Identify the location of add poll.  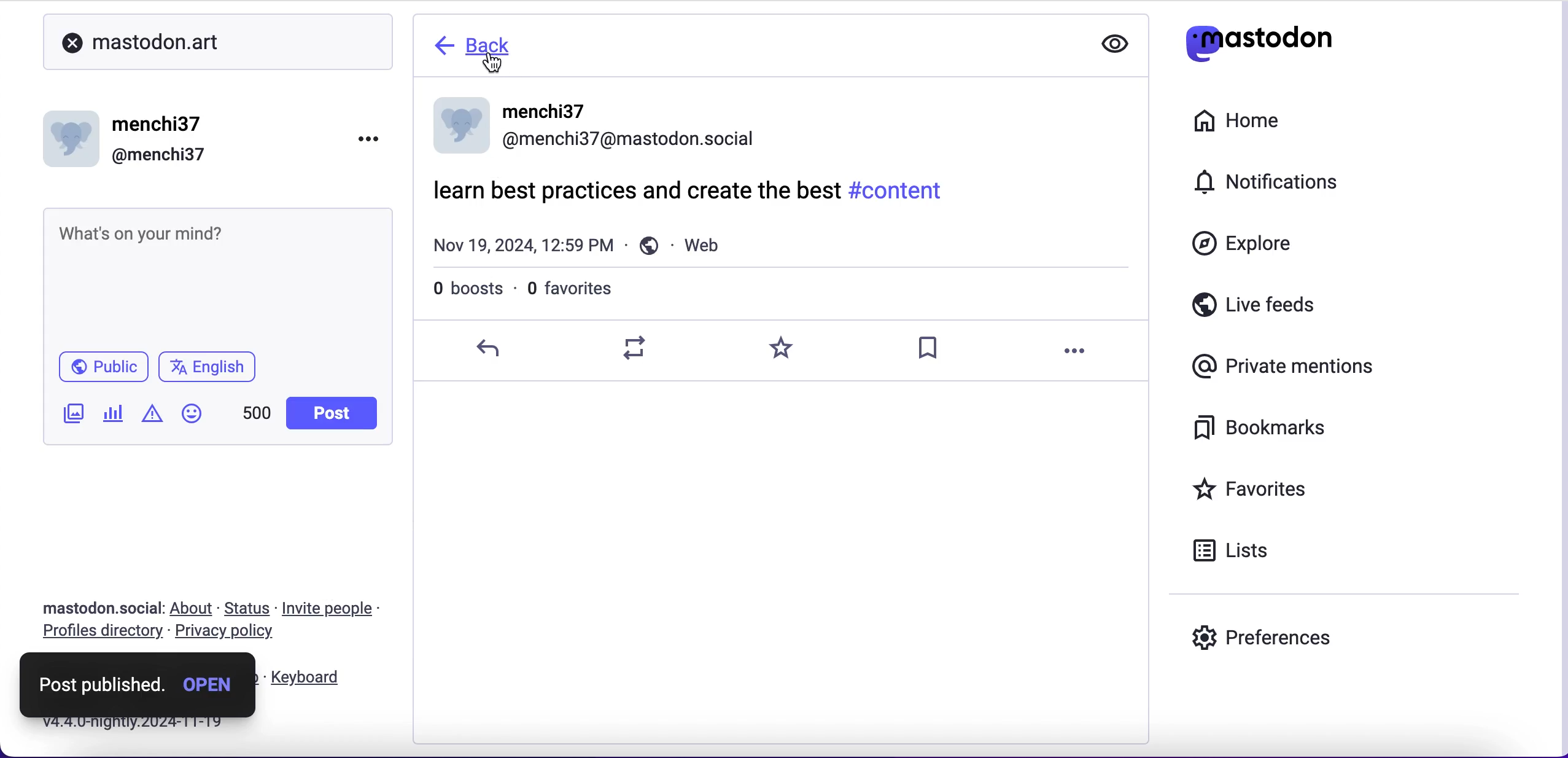
(114, 415).